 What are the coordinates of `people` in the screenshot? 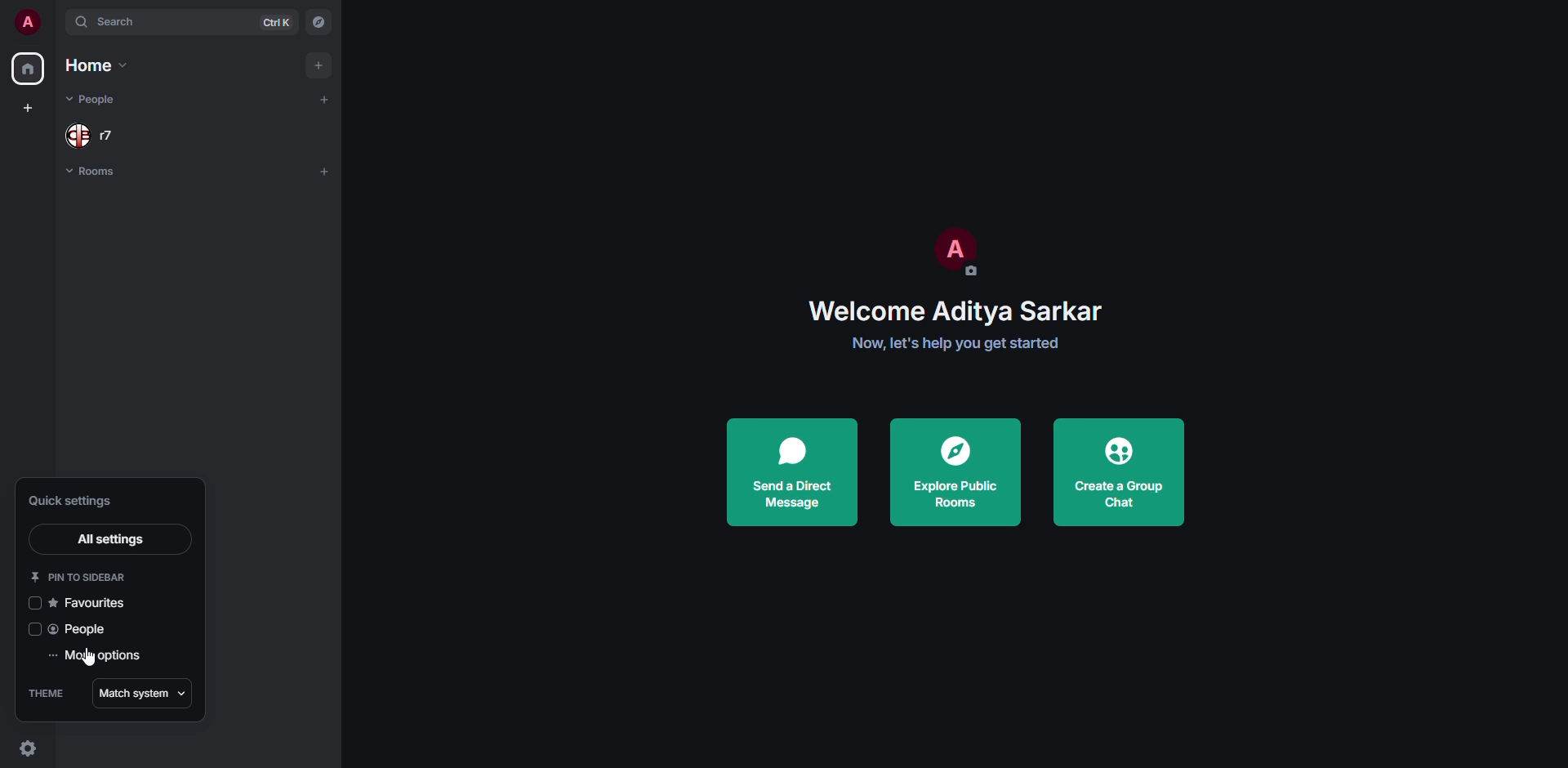 It's located at (86, 628).